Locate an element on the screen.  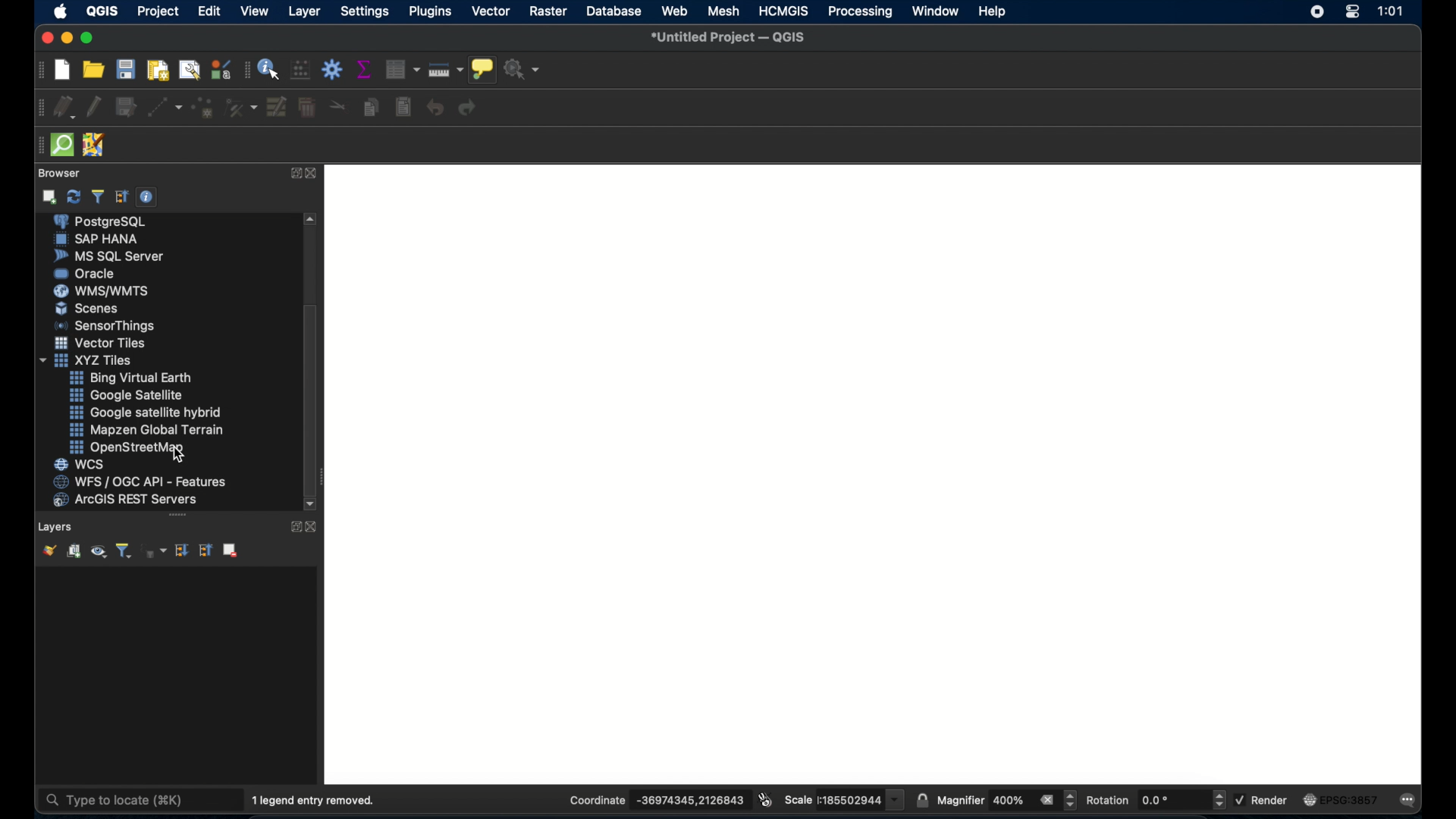
save project is located at coordinates (127, 71).